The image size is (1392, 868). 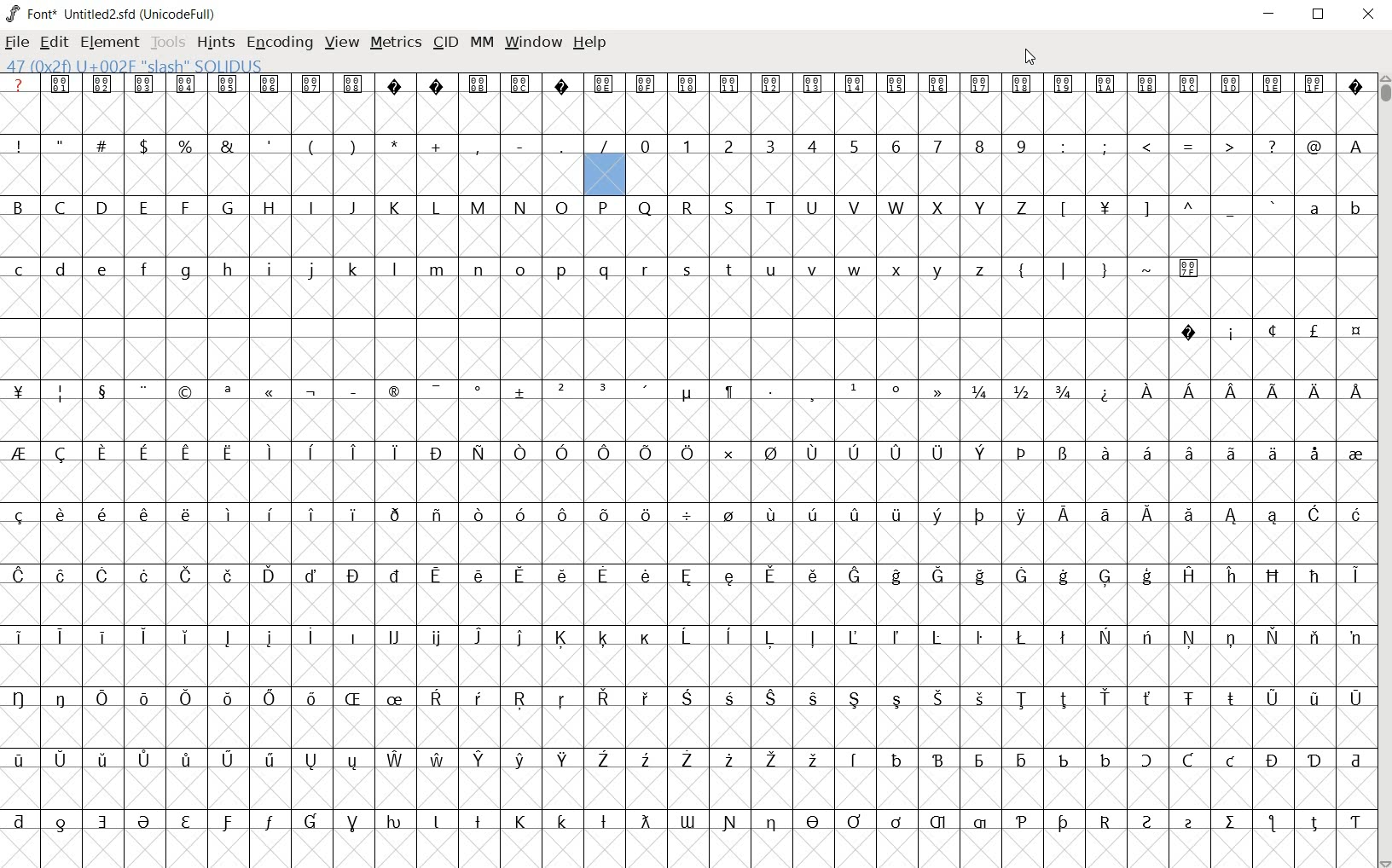 I want to click on FILE, so click(x=19, y=43).